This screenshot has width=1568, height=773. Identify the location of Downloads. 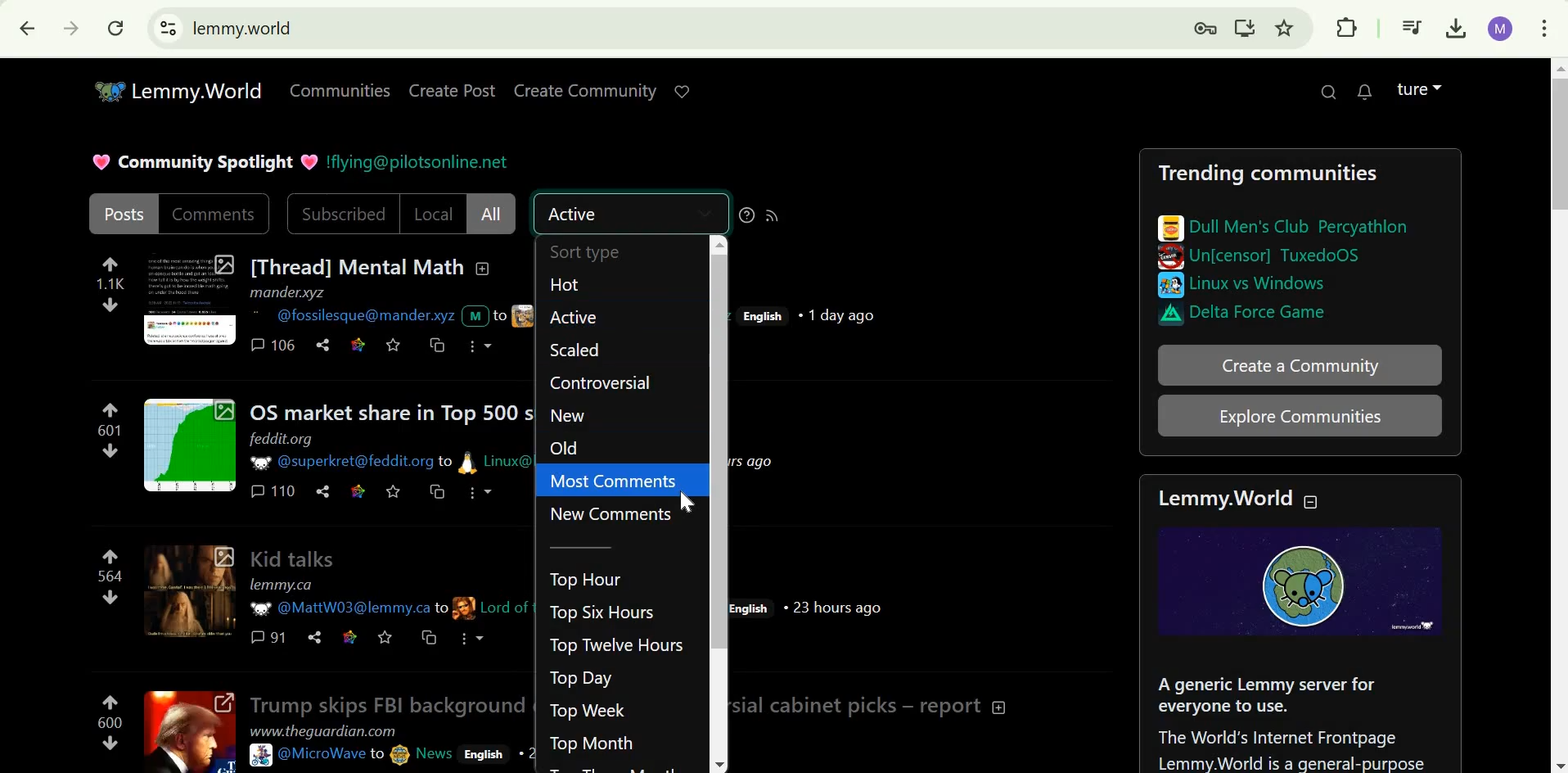
(1454, 29).